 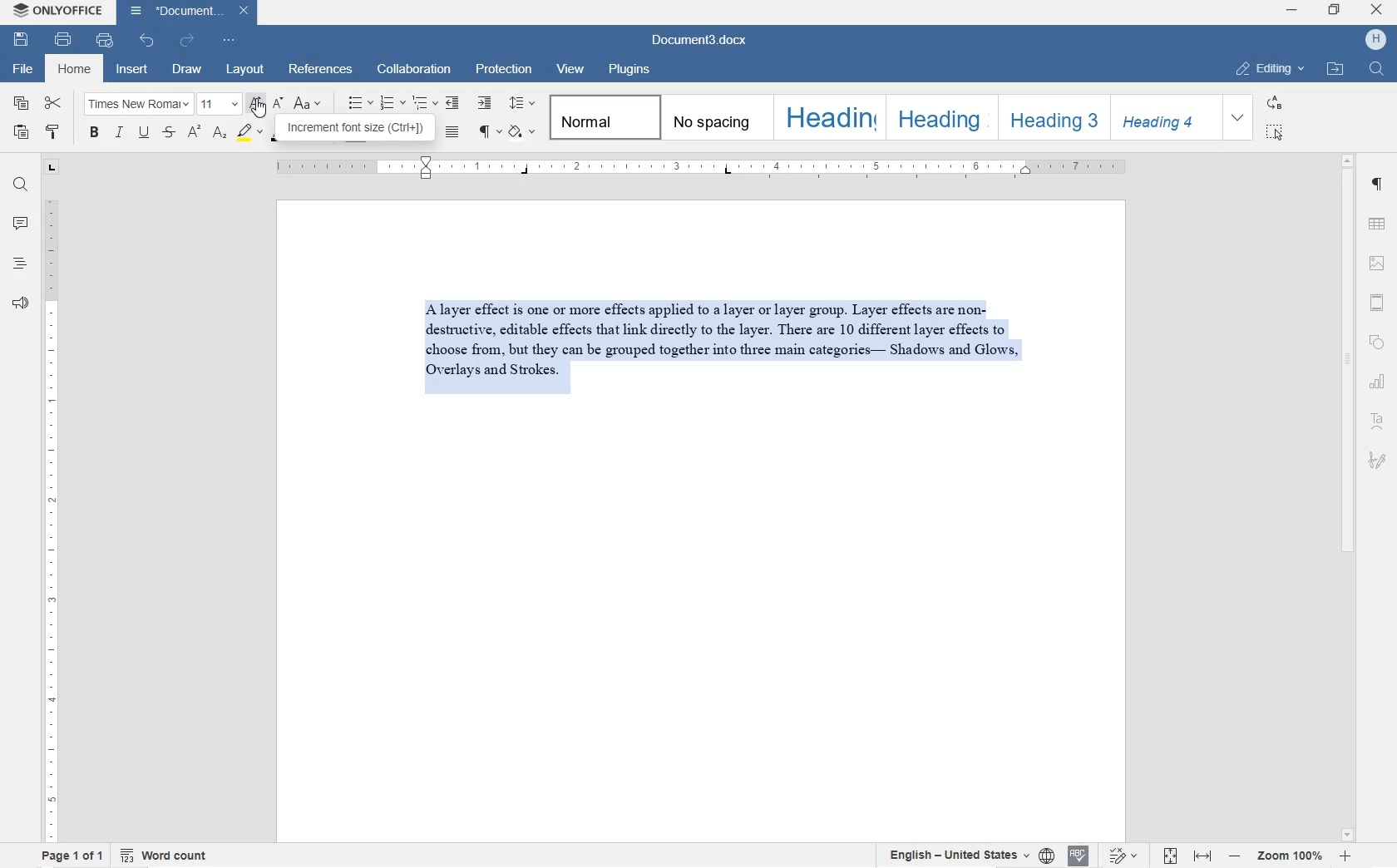 What do you see at coordinates (965, 855) in the screenshot?
I see `set text or document language` at bounding box center [965, 855].